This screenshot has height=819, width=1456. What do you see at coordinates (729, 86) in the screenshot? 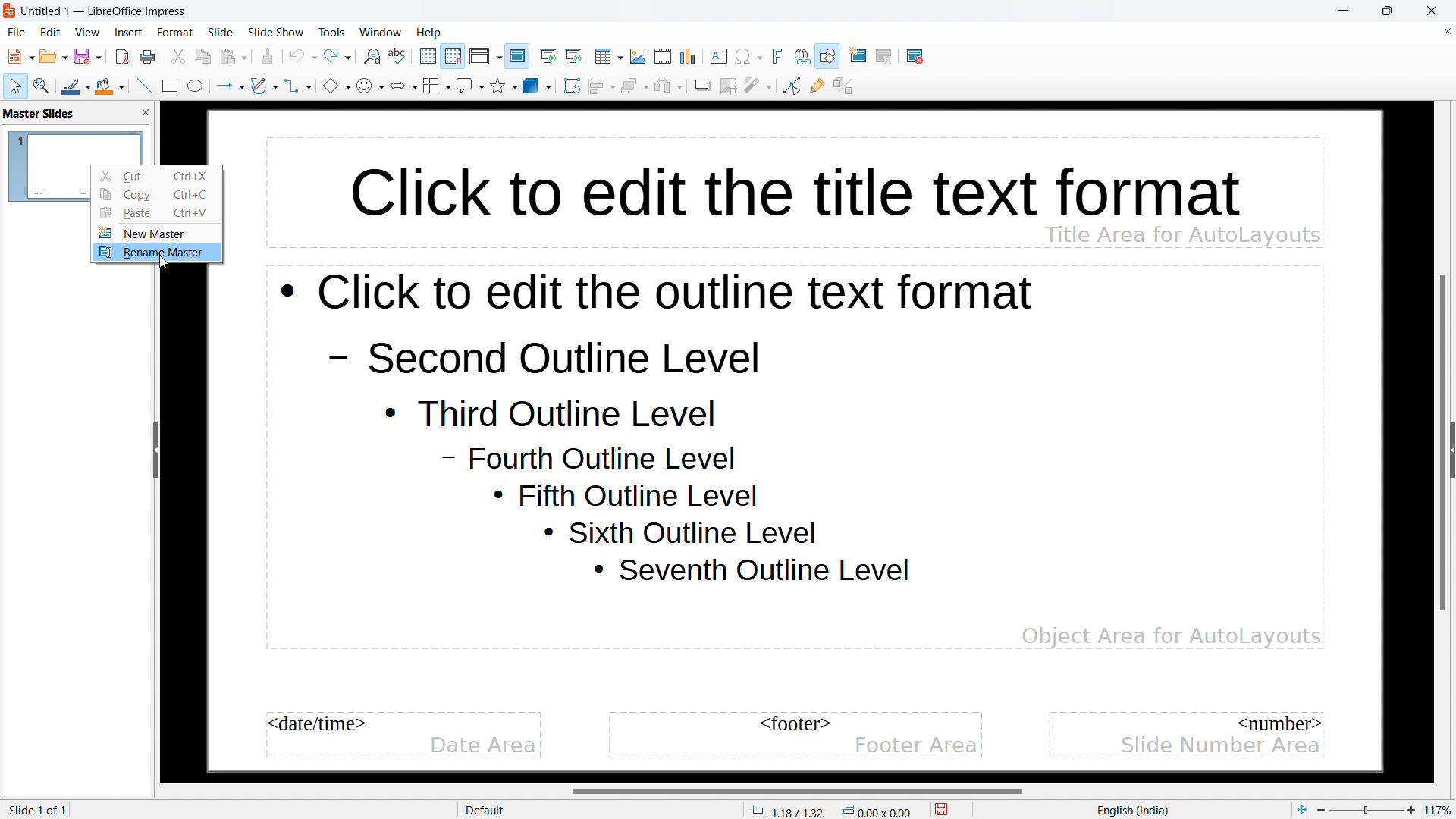
I see `crop` at bounding box center [729, 86].